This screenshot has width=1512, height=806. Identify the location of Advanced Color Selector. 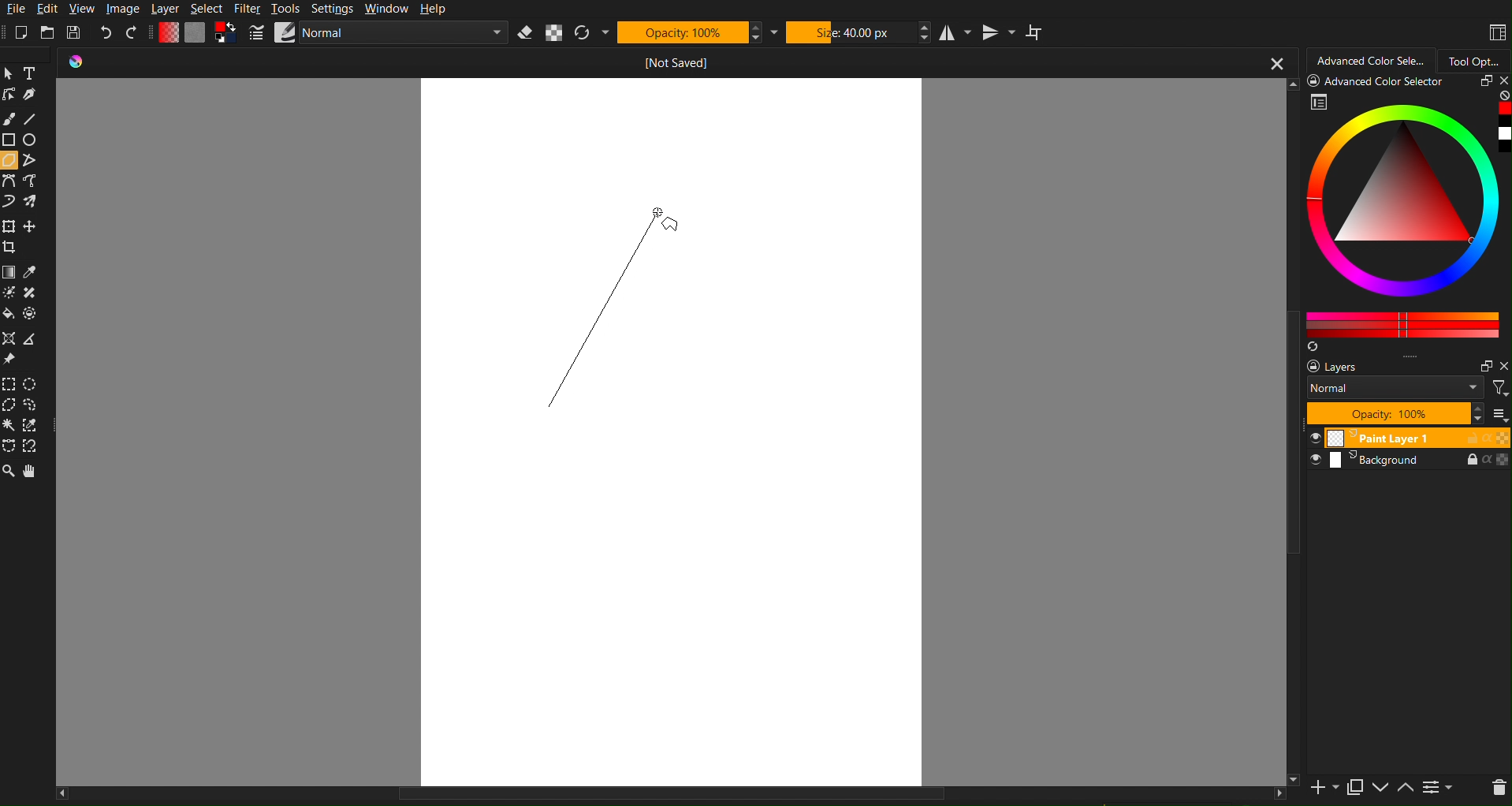
(1380, 84).